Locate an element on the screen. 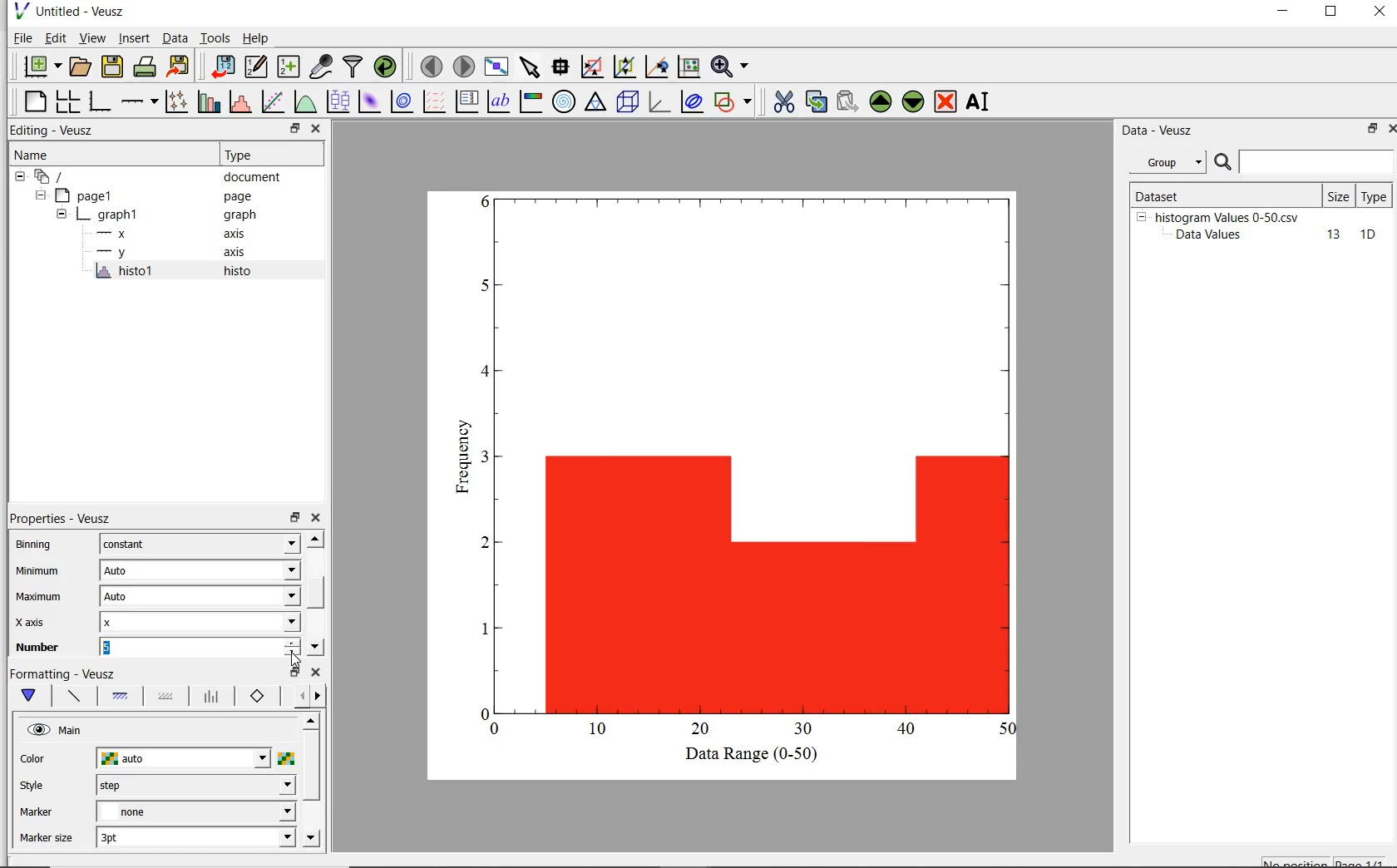  step is located at coordinates (195, 785).